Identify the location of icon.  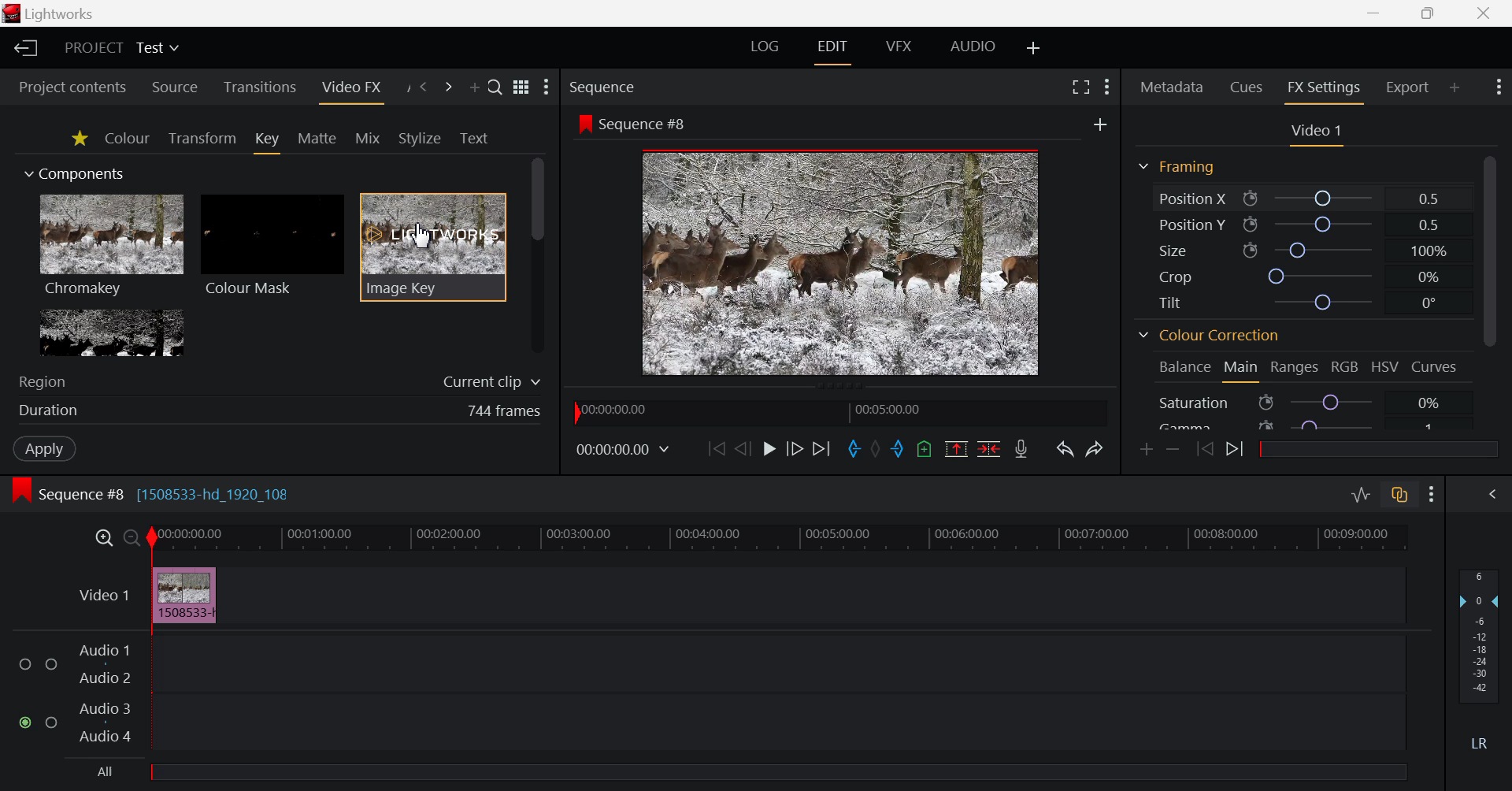
(1252, 200).